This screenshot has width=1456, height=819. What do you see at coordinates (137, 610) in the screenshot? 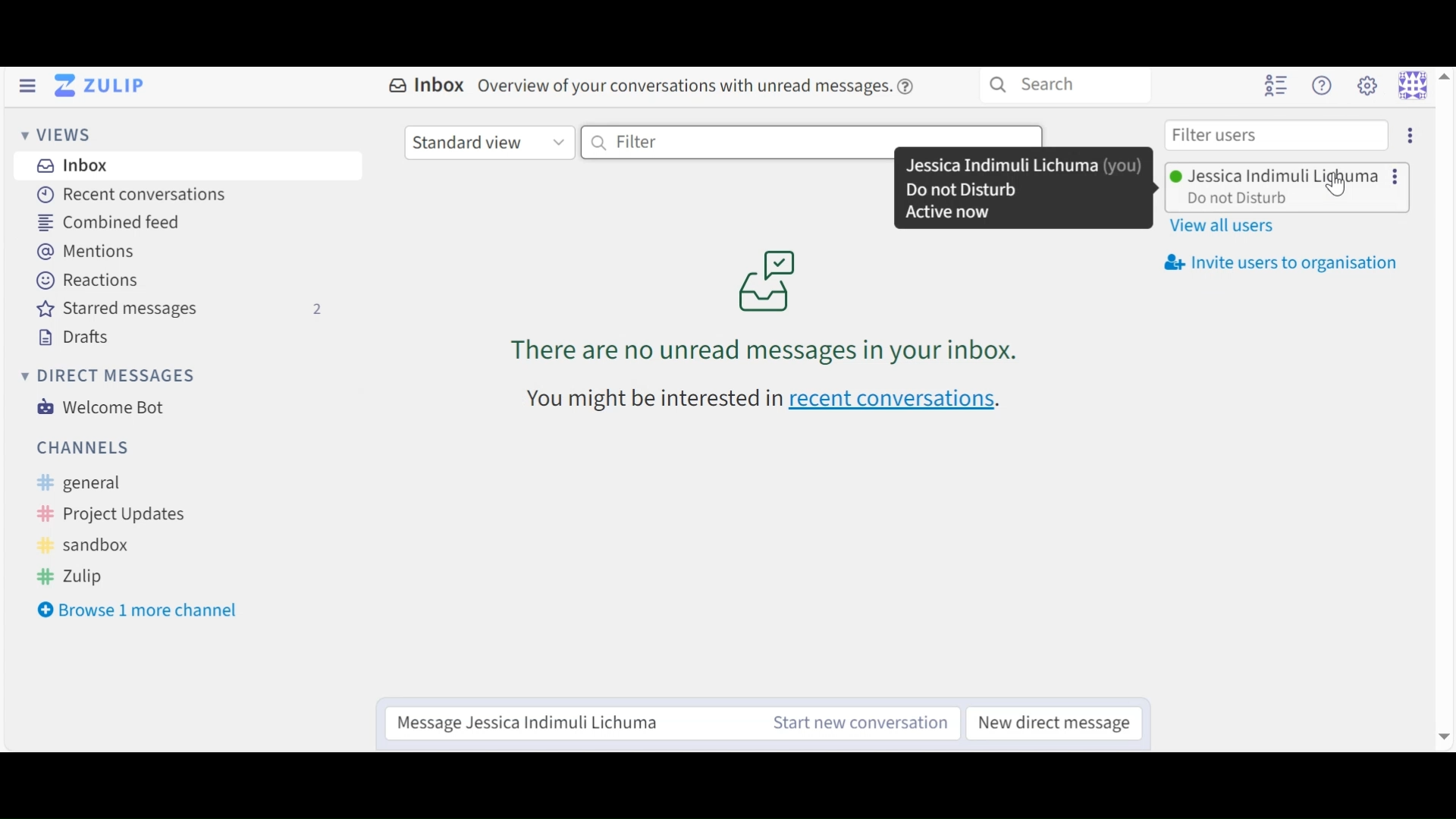
I see `Browse more channel` at bounding box center [137, 610].